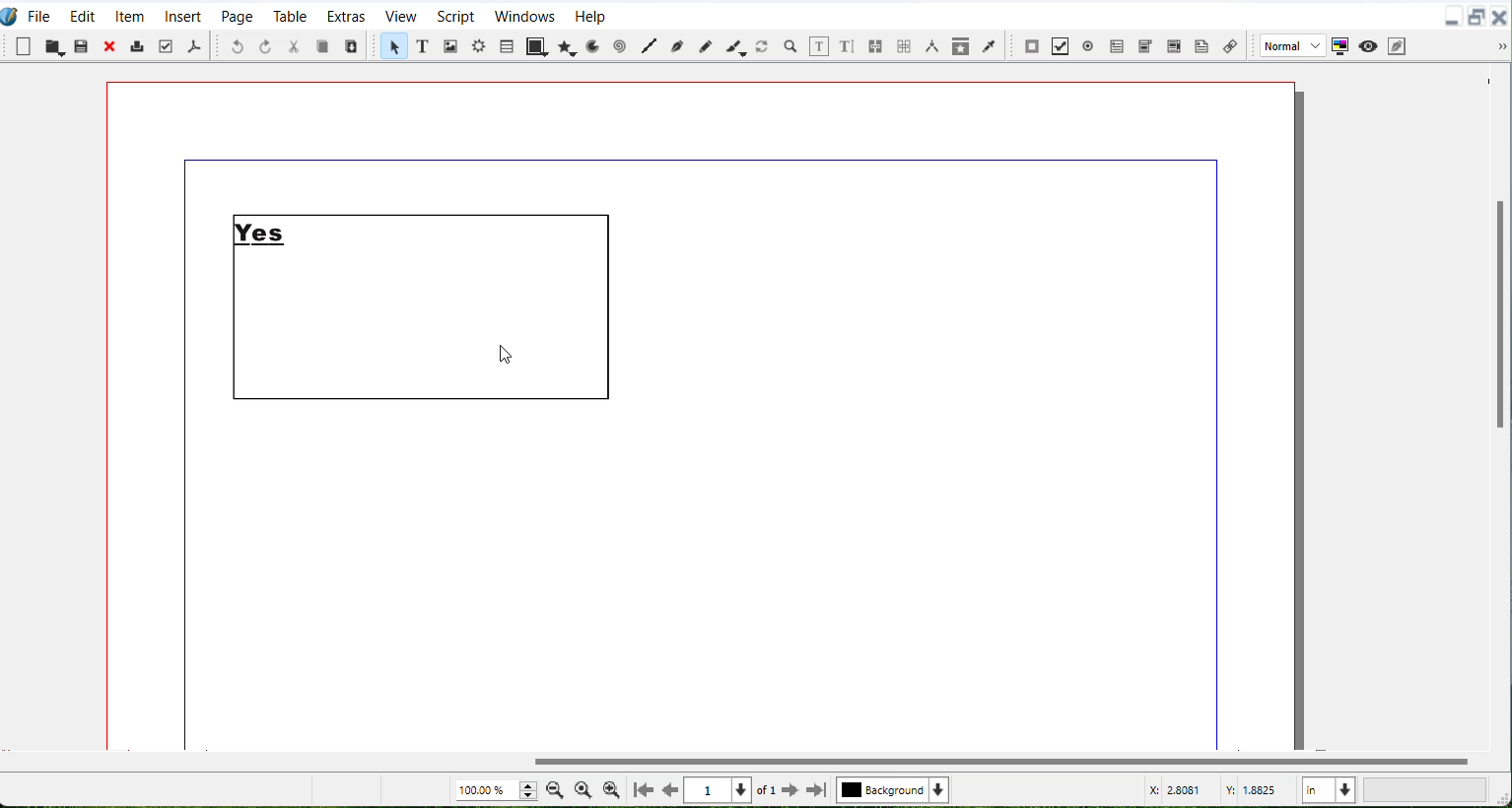 Image resolution: width=1512 pixels, height=808 pixels. I want to click on Shape, so click(535, 47).